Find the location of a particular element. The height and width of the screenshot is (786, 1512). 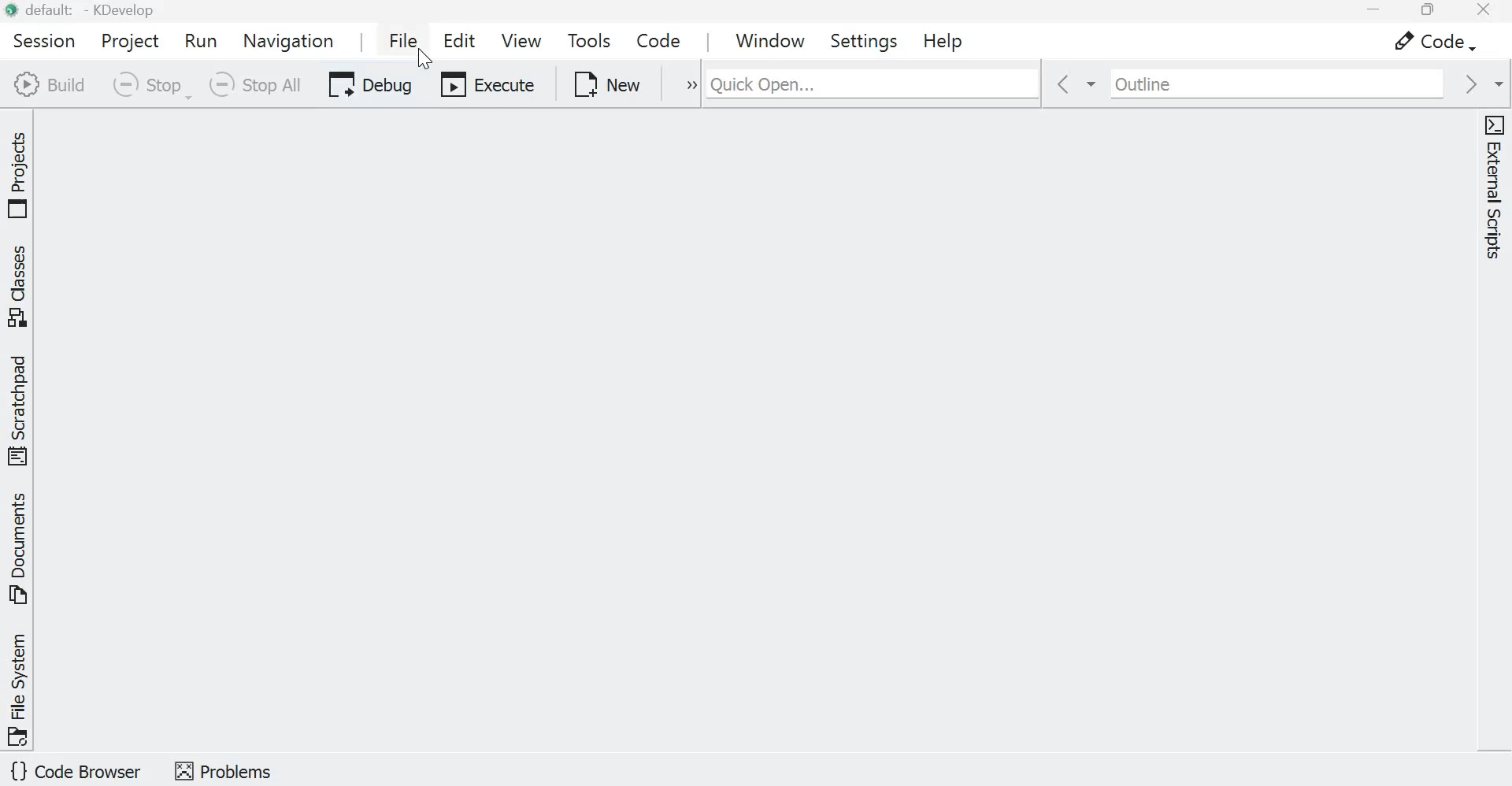

Go back in context history is located at coordinates (1065, 85).